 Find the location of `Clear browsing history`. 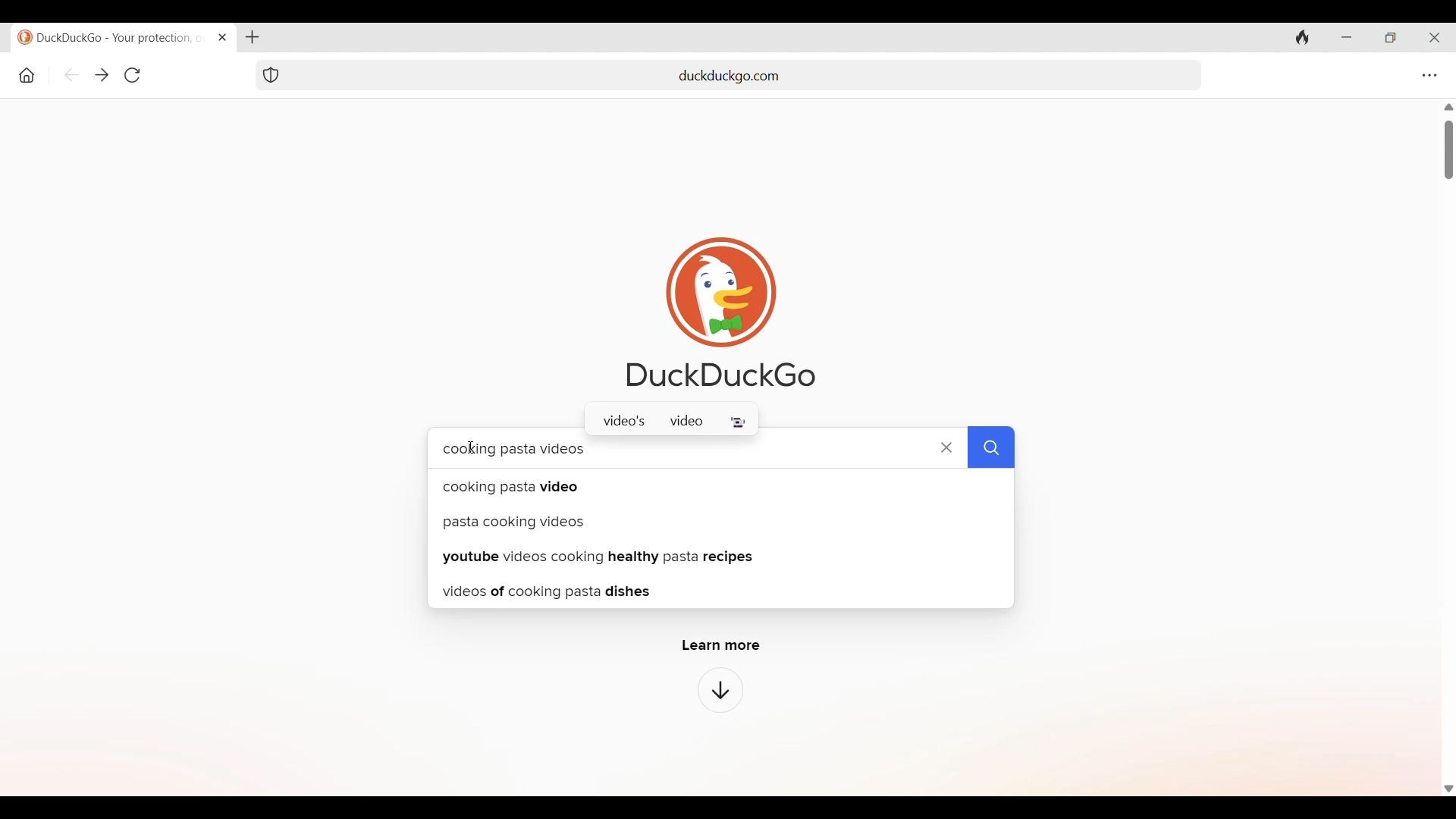

Clear browsing history is located at coordinates (1303, 36).